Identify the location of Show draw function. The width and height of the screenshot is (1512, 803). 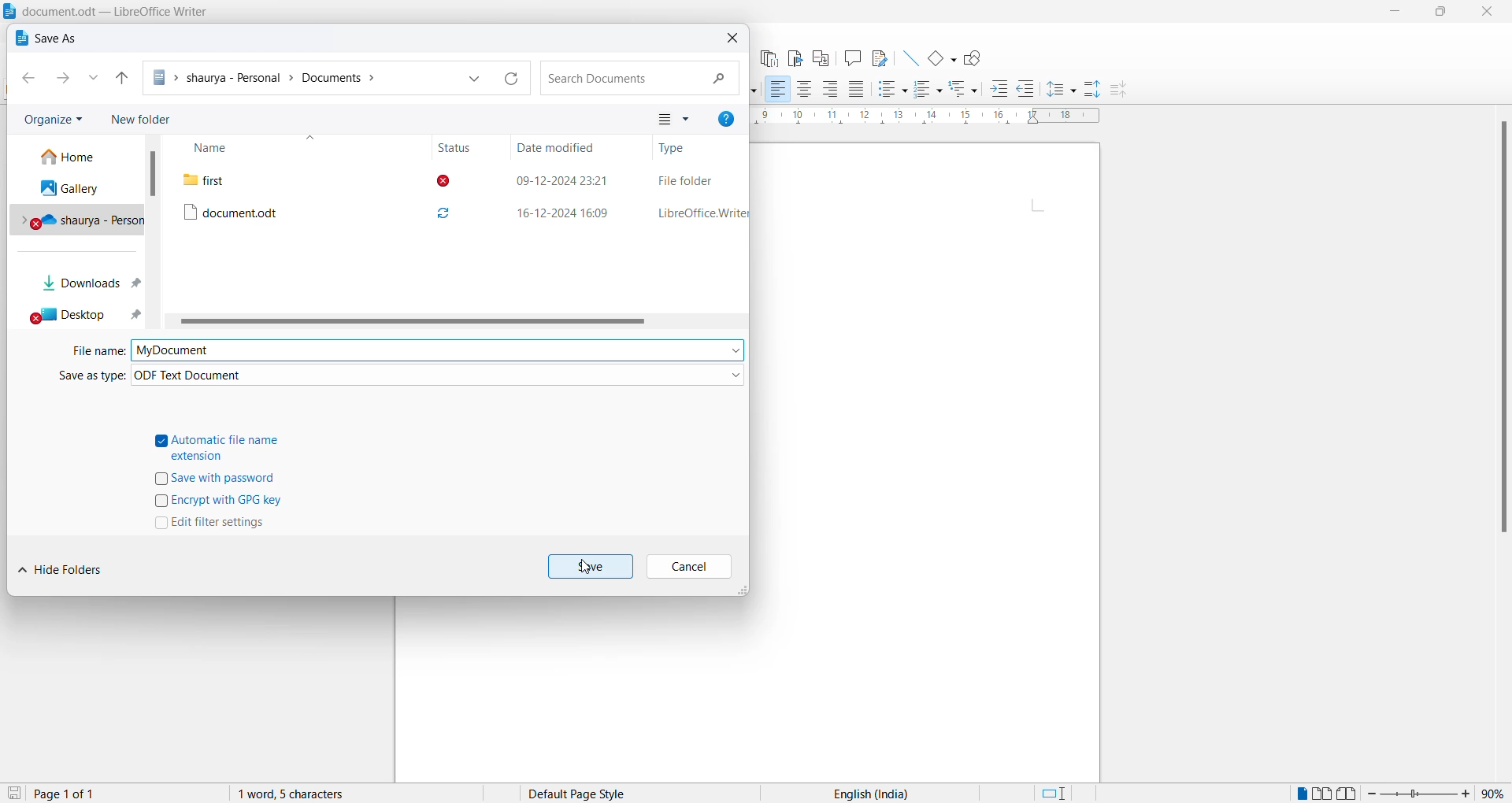
(975, 58).